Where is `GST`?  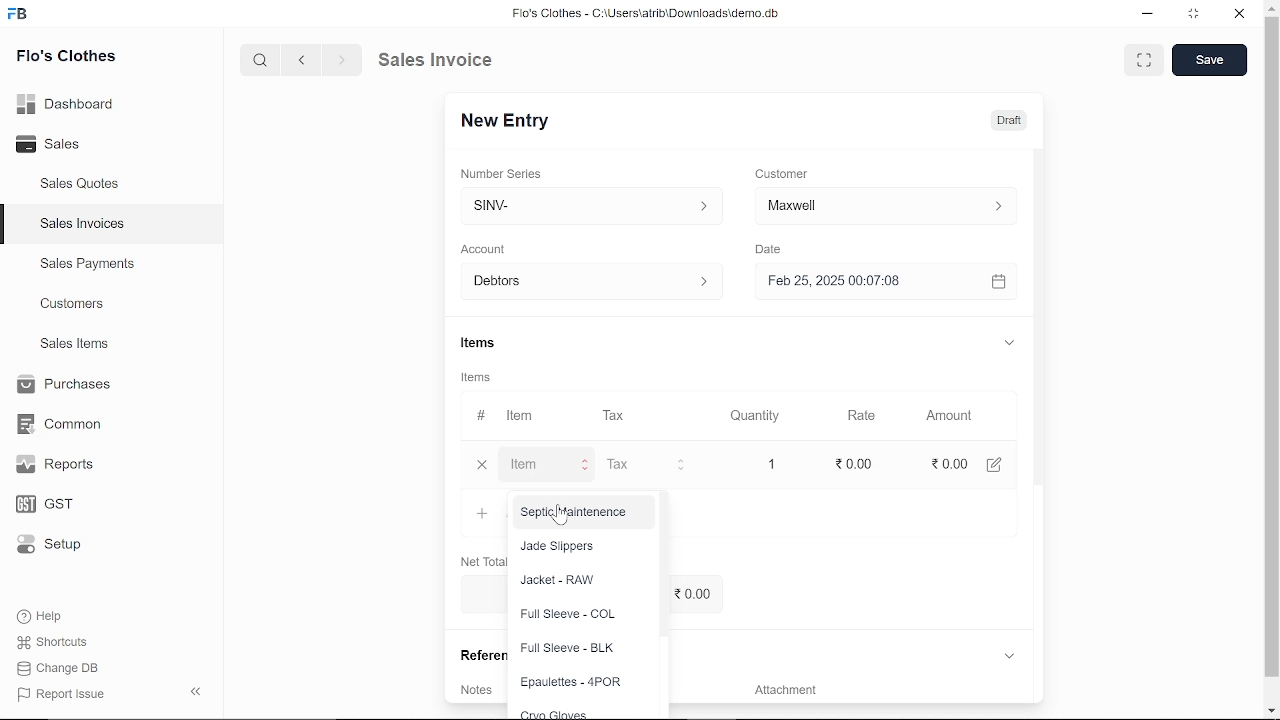 GST is located at coordinates (55, 501).